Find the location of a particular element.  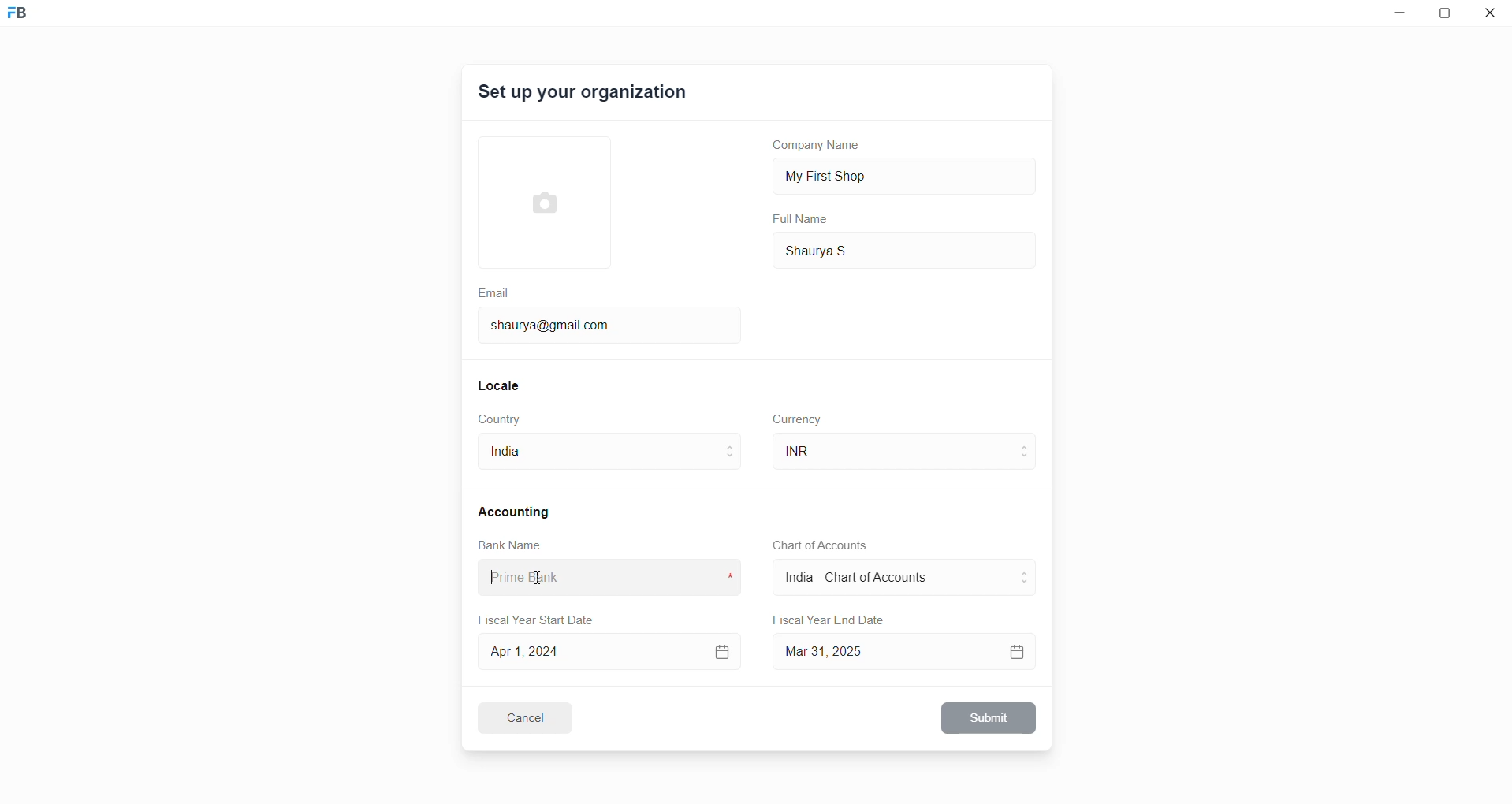

Locale is located at coordinates (500, 385).